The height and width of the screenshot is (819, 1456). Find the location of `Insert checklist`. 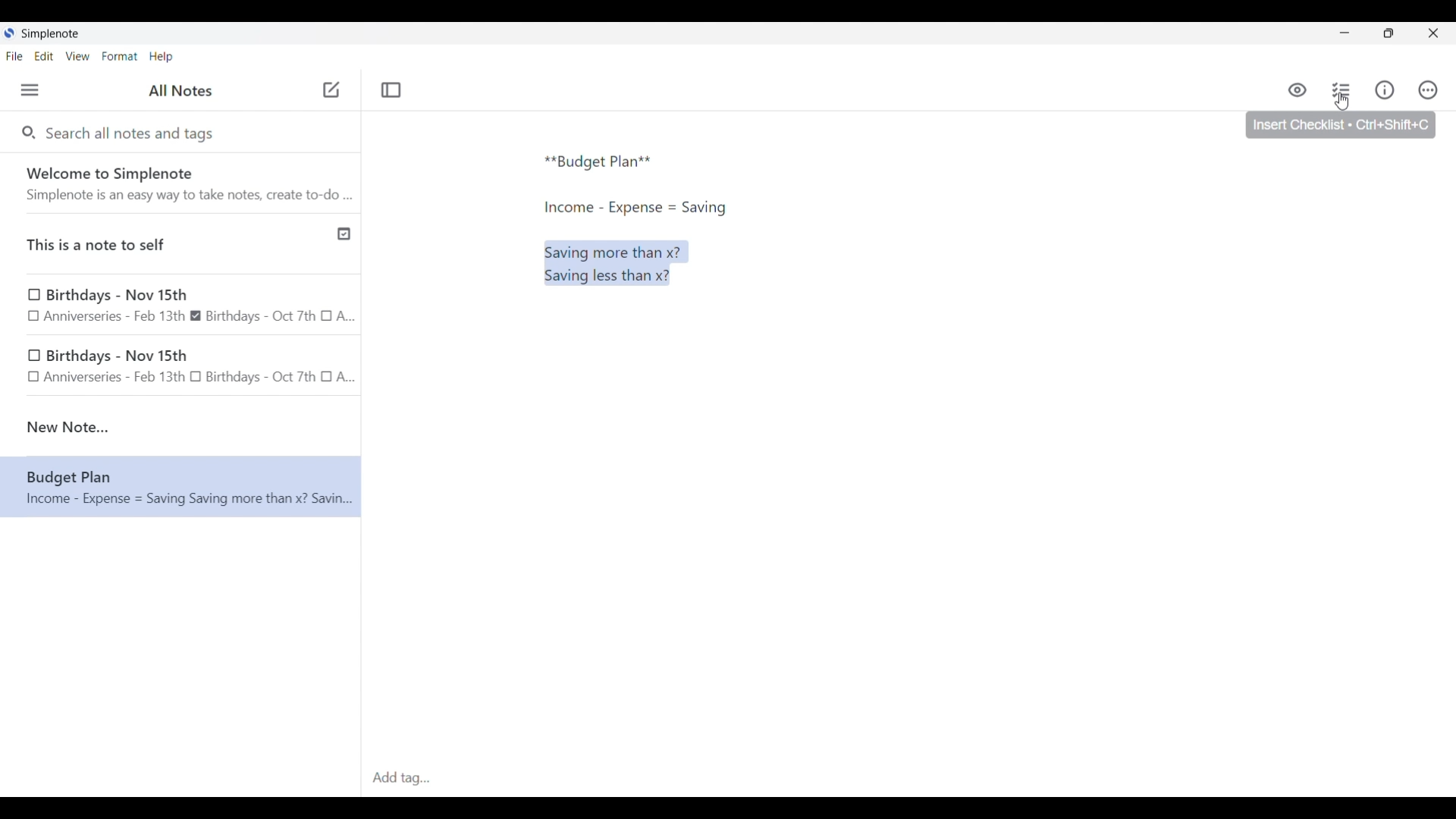

Insert checklist is located at coordinates (1342, 90).